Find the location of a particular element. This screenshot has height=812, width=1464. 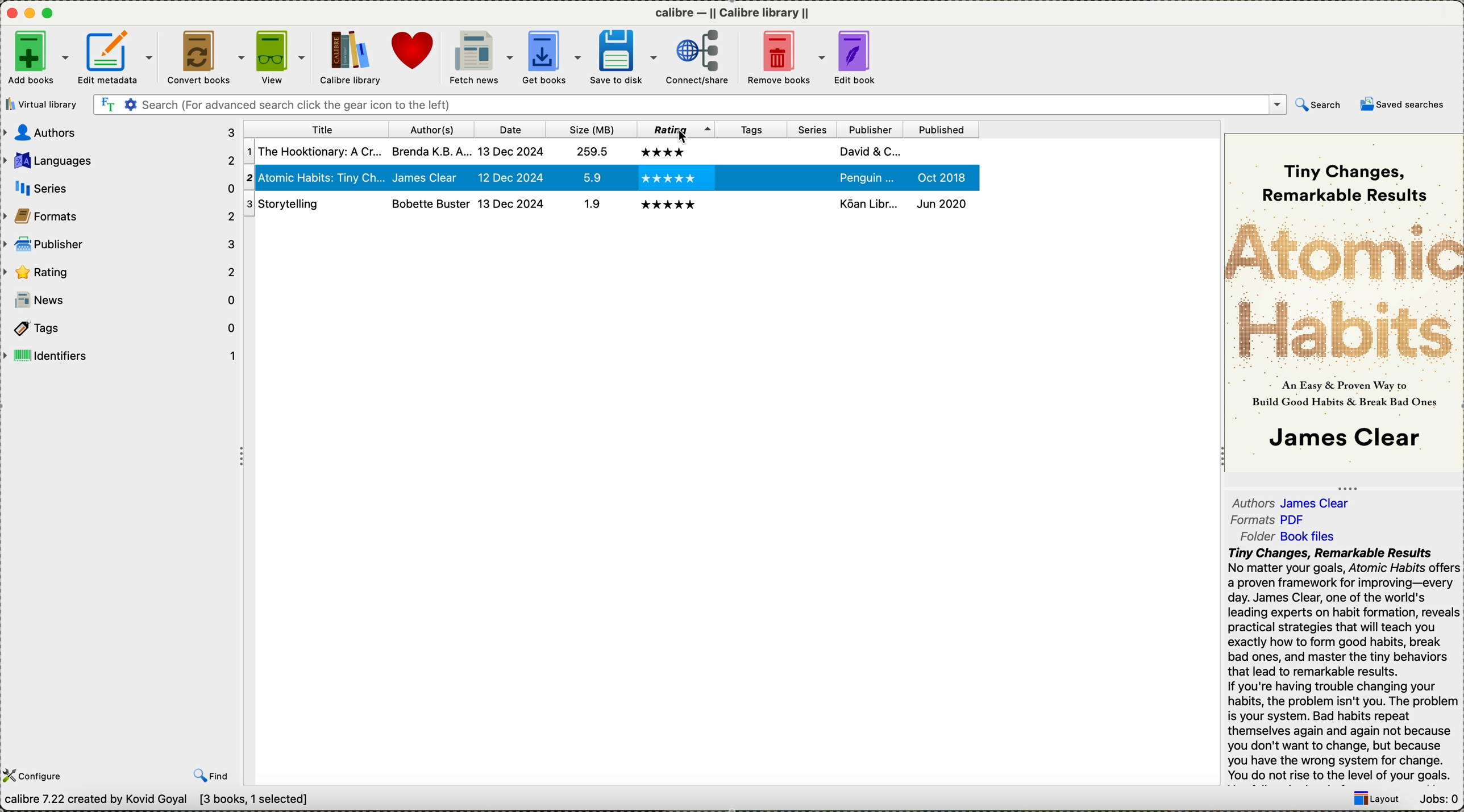

tags is located at coordinates (750, 128).